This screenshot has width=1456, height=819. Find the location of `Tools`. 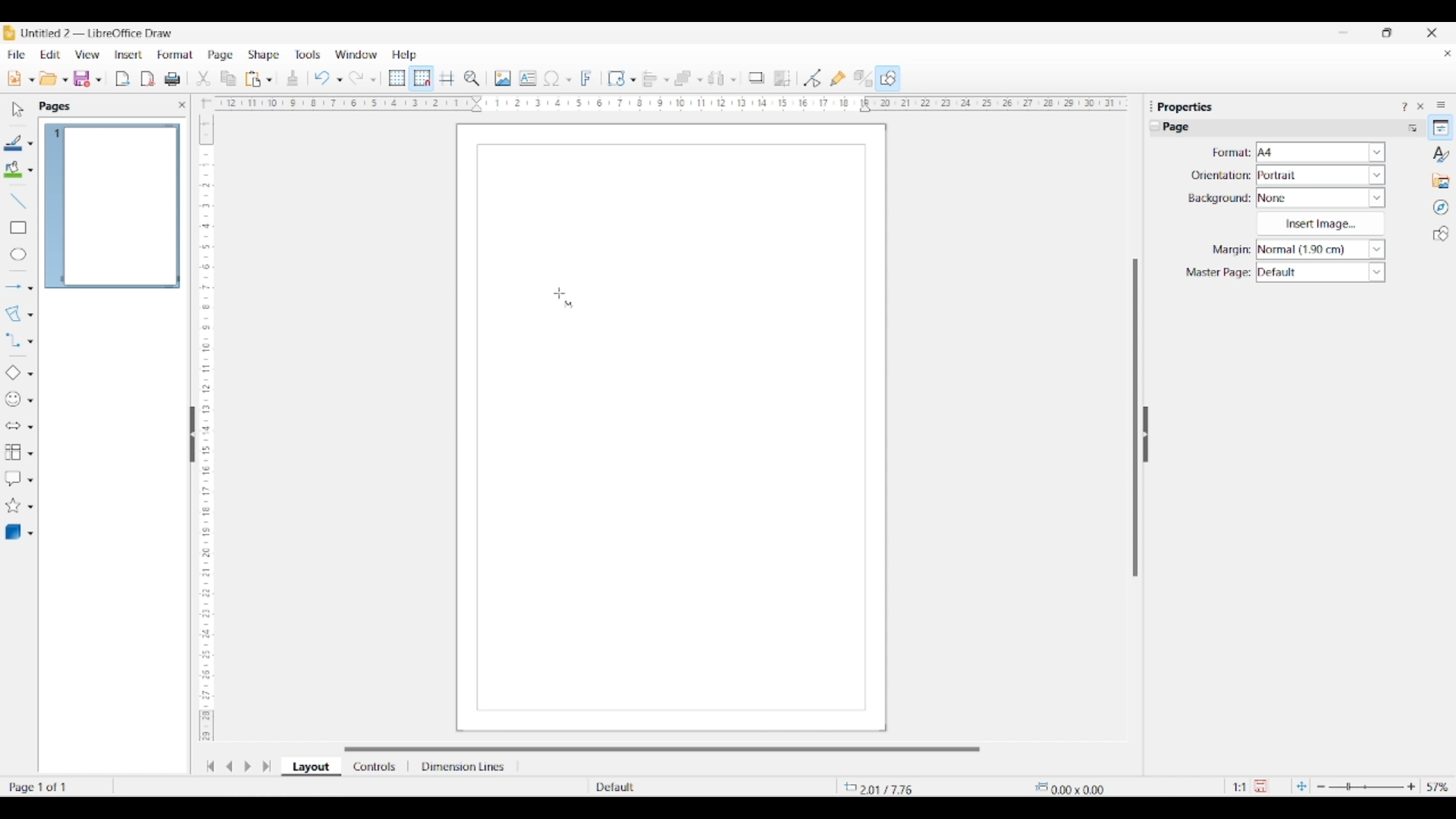

Tools is located at coordinates (308, 54).